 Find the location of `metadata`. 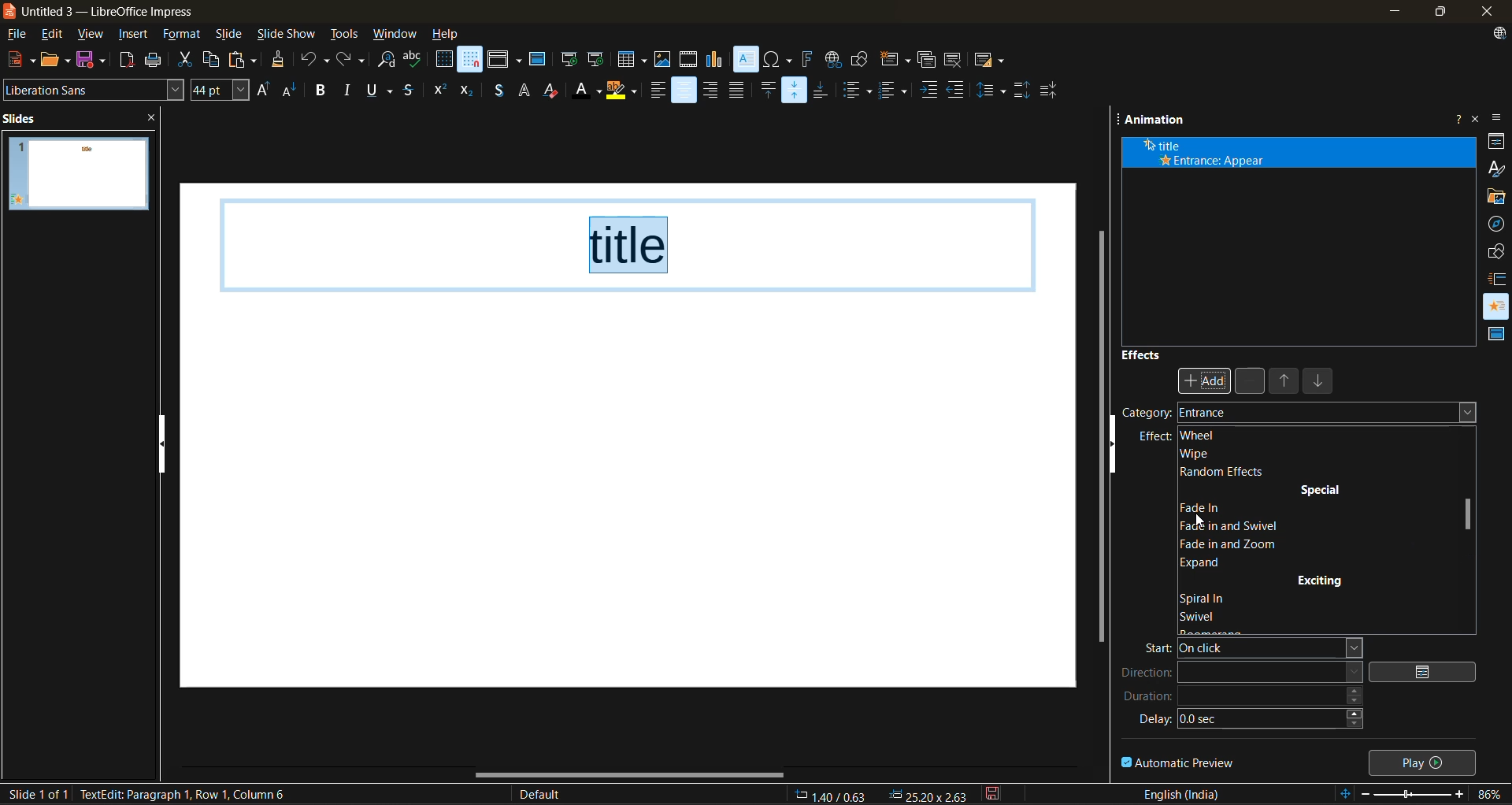

metadata is located at coordinates (193, 794).